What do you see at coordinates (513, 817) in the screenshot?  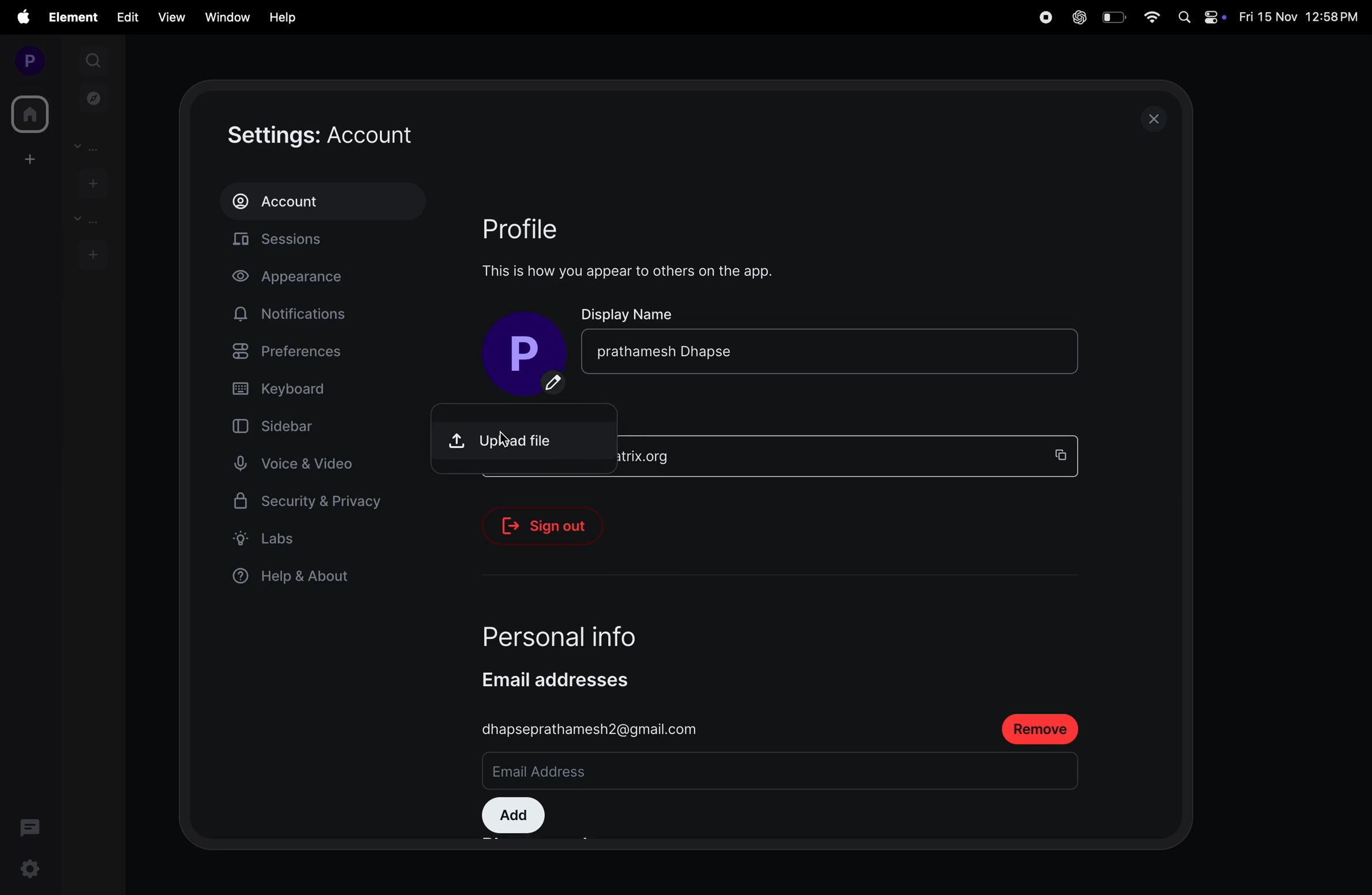 I see `add` at bounding box center [513, 817].